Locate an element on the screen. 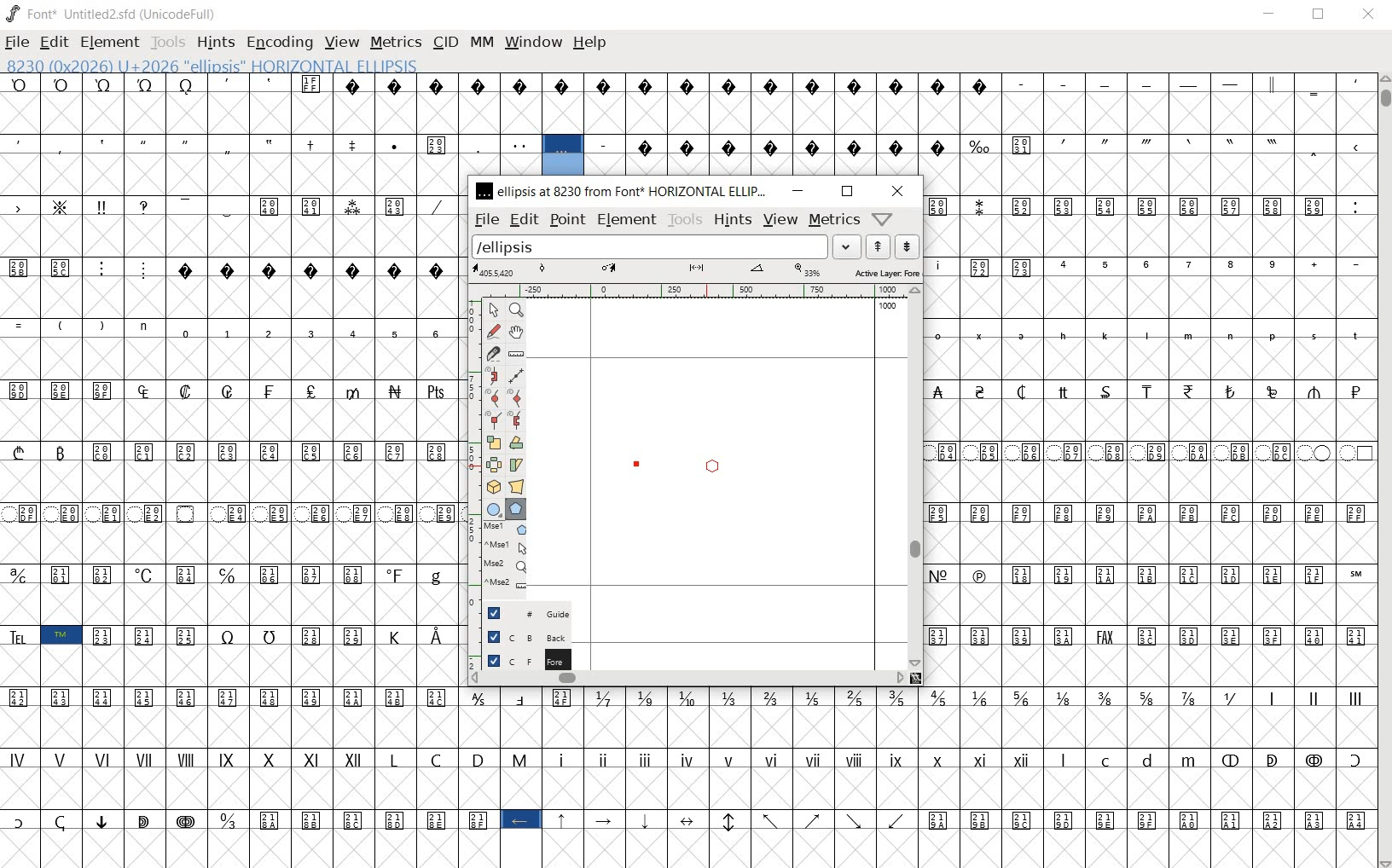 Image resolution: width=1392 pixels, height=868 pixels. MM is located at coordinates (481, 40).